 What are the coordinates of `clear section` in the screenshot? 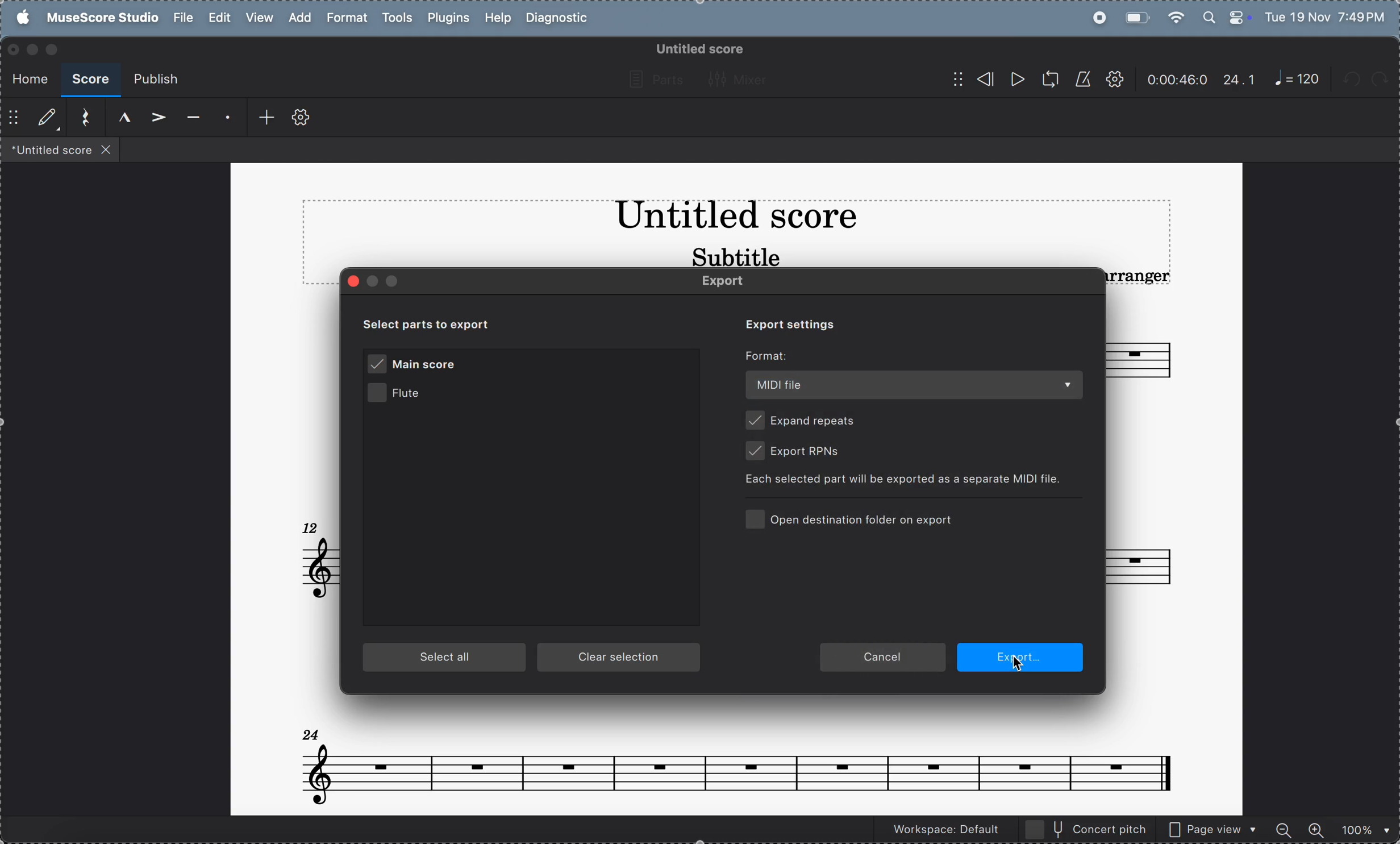 It's located at (620, 658).